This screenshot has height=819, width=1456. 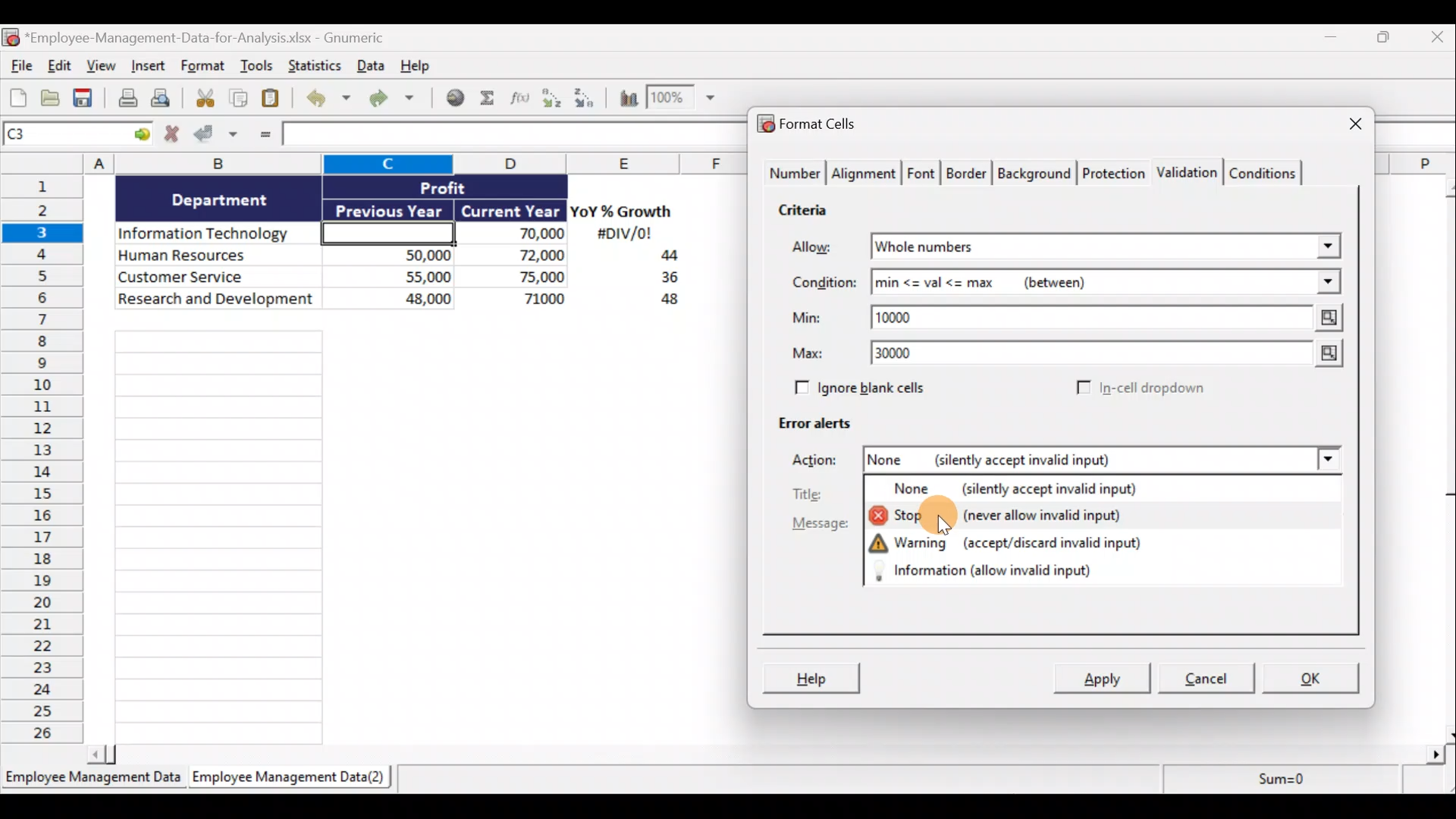 I want to click on Cell C3, so click(x=384, y=231).